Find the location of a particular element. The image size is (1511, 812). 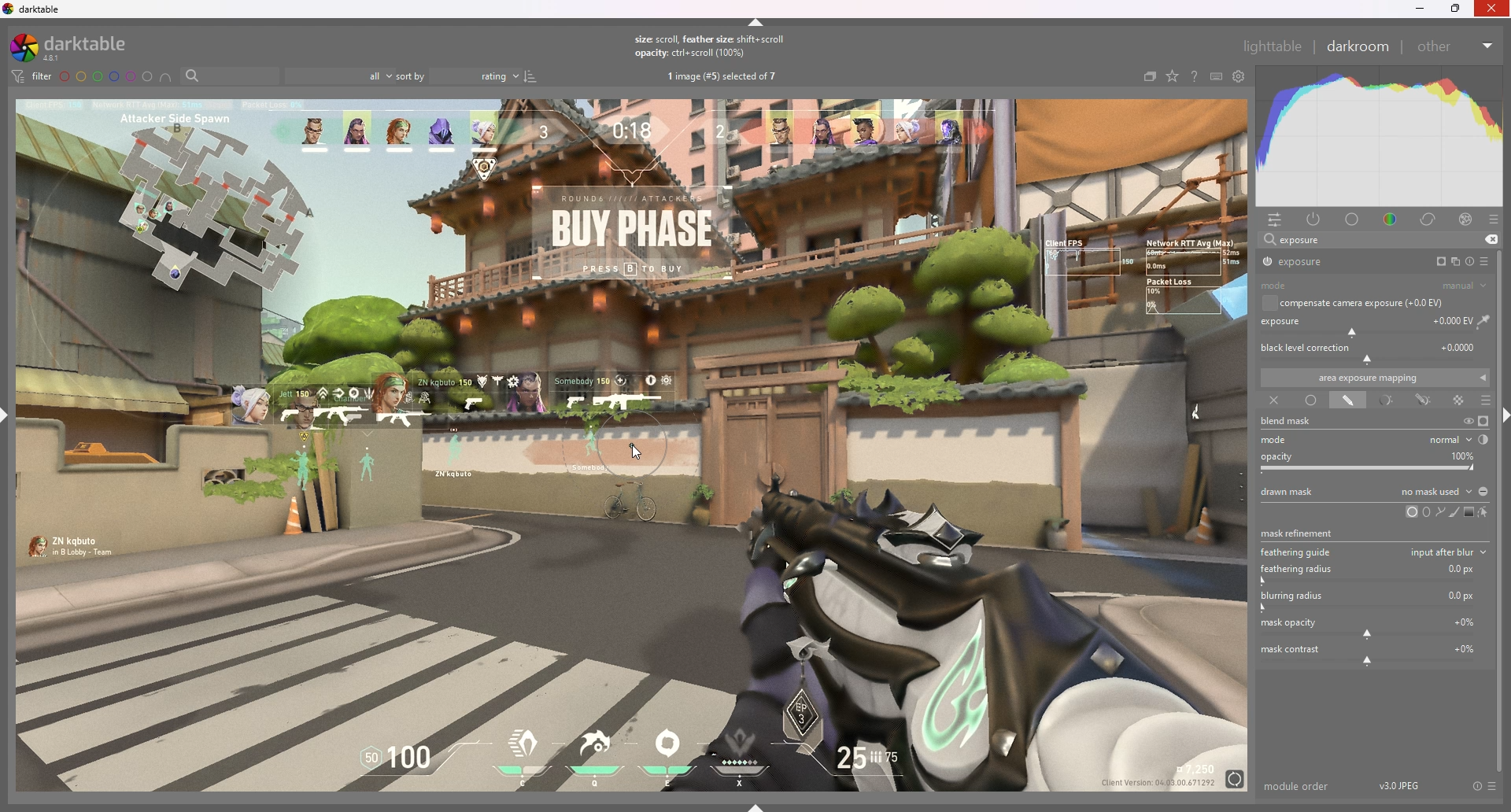

minimize is located at coordinates (1420, 9).